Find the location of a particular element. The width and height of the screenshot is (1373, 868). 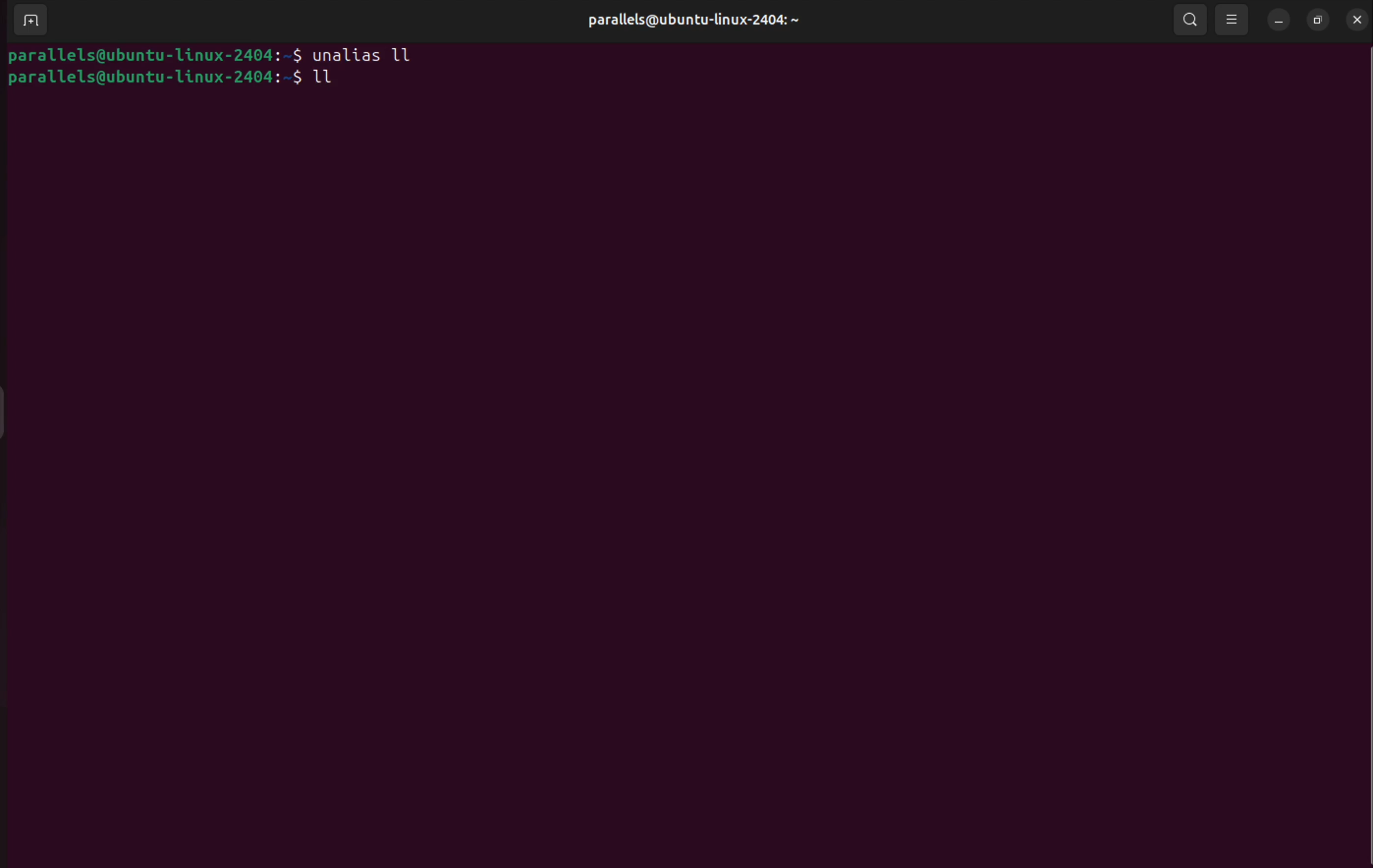

minimize is located at coordinates (1279, 19).